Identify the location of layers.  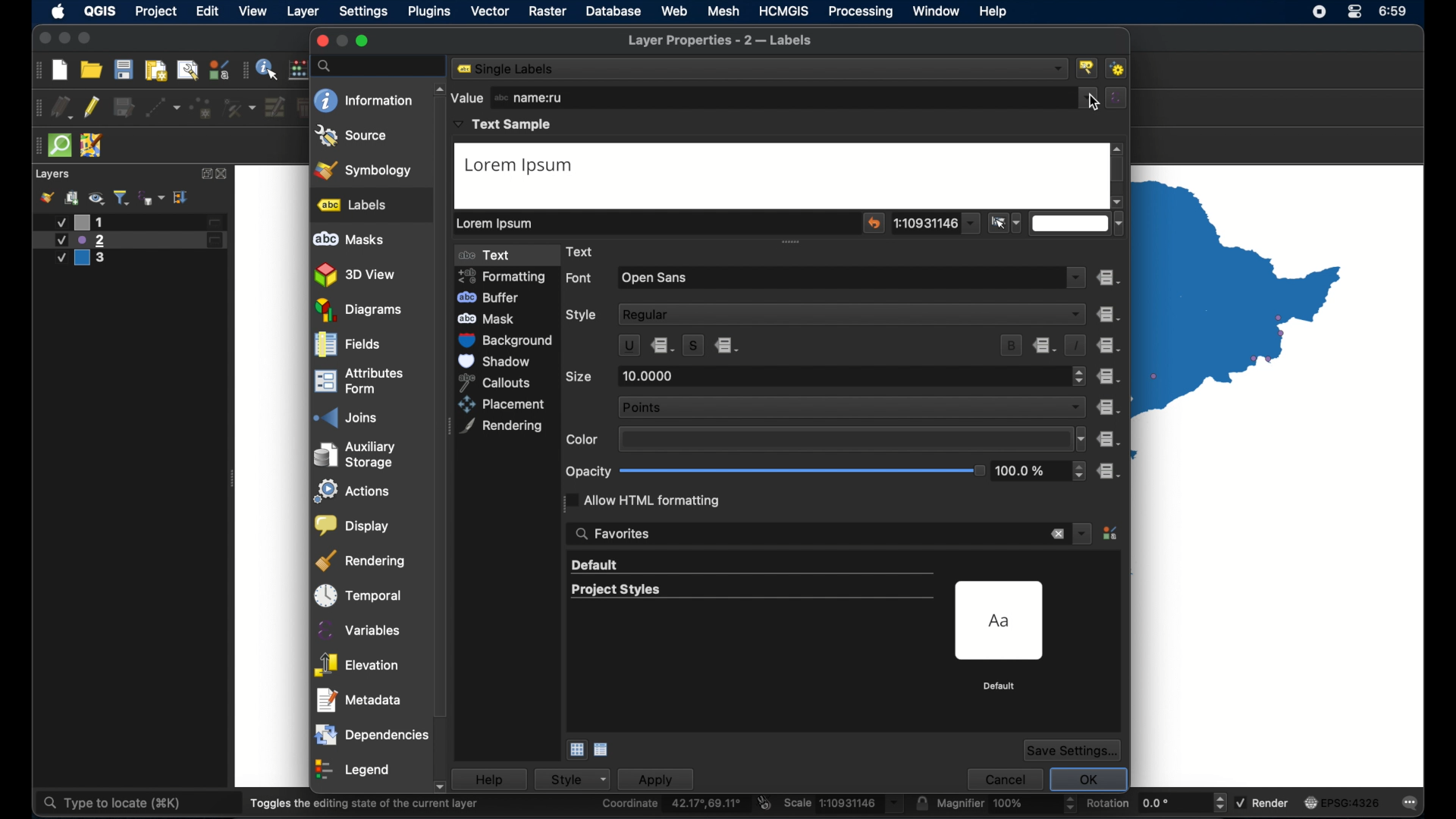
(54, 174).